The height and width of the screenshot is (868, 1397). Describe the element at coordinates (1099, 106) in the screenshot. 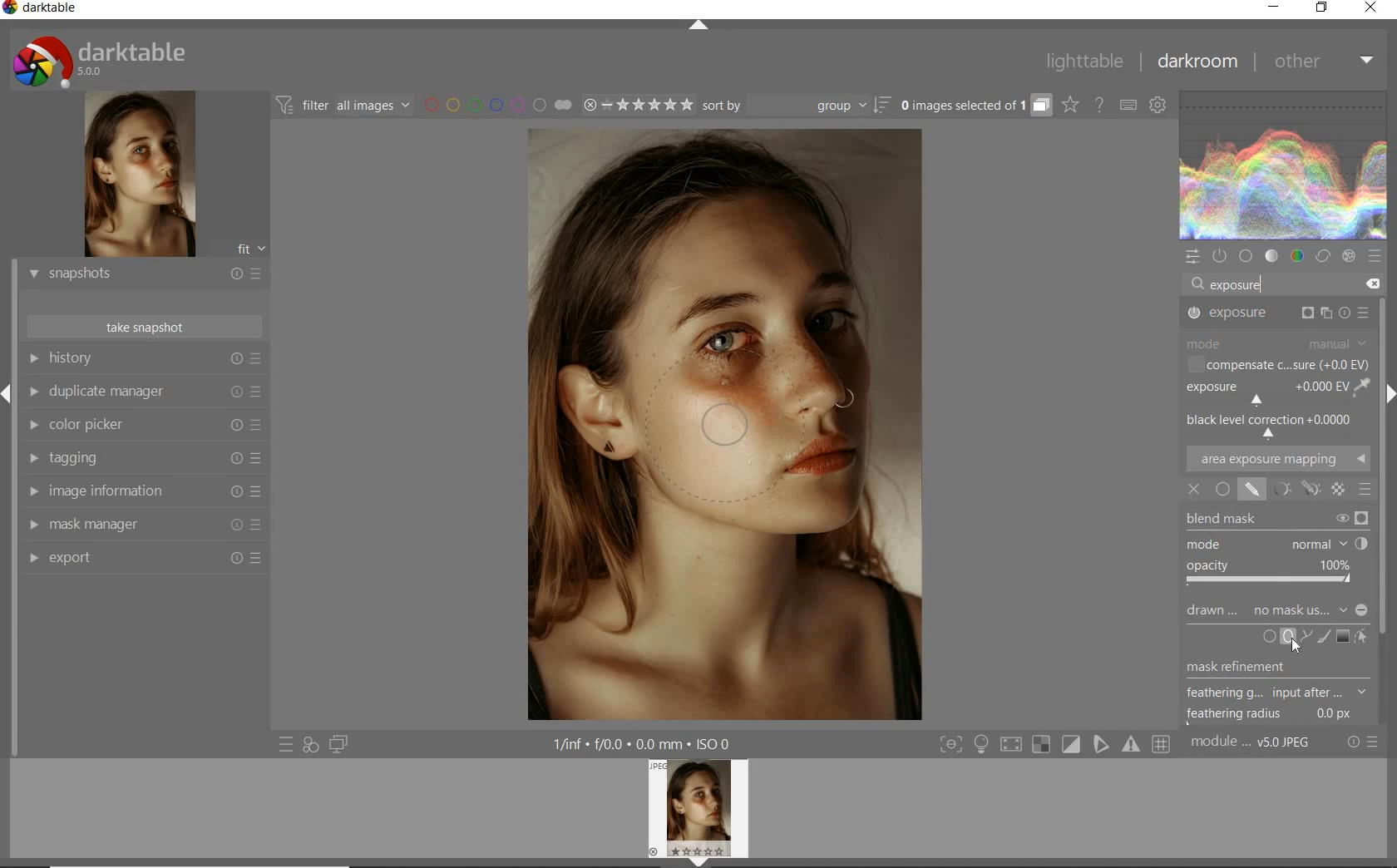

I see `enable online help` at that location.